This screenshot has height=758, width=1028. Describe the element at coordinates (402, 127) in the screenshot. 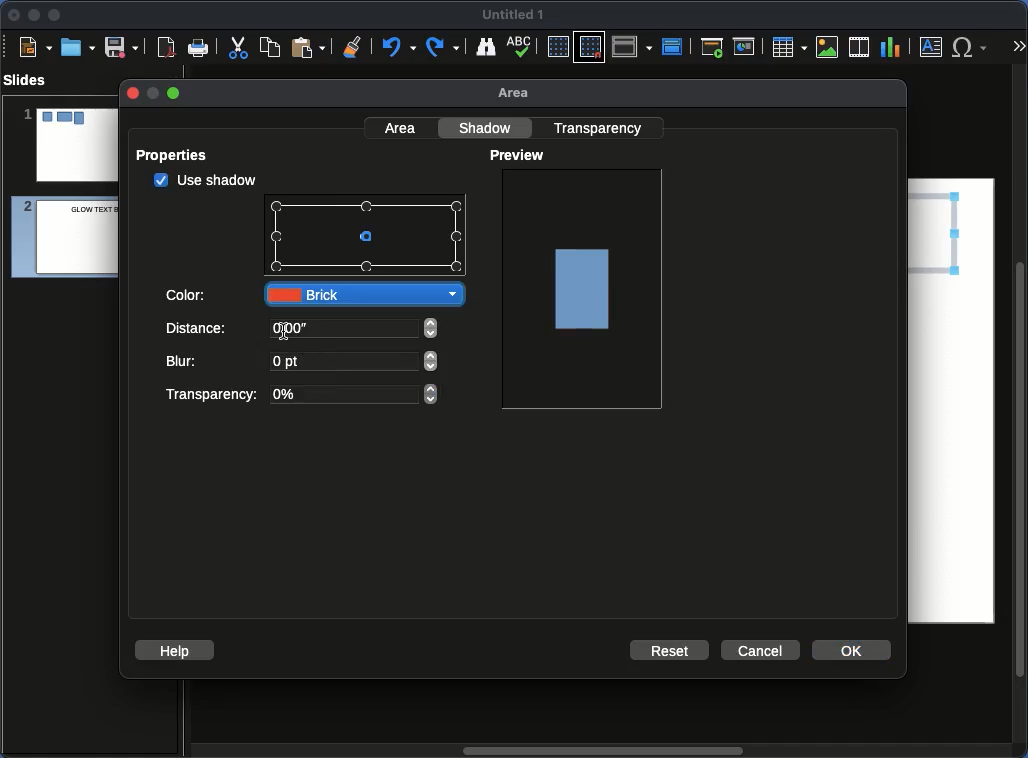

I see `Area` at that location.